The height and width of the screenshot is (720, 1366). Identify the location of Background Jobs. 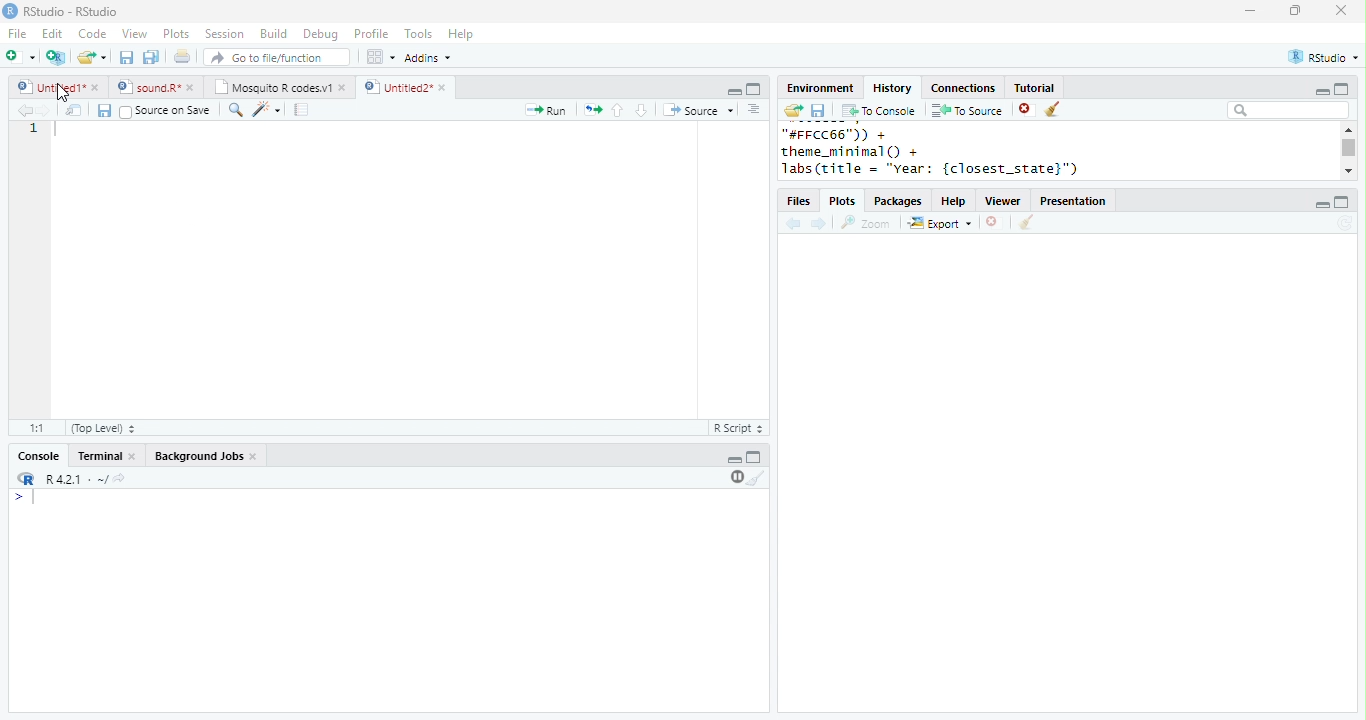
(198, 456).